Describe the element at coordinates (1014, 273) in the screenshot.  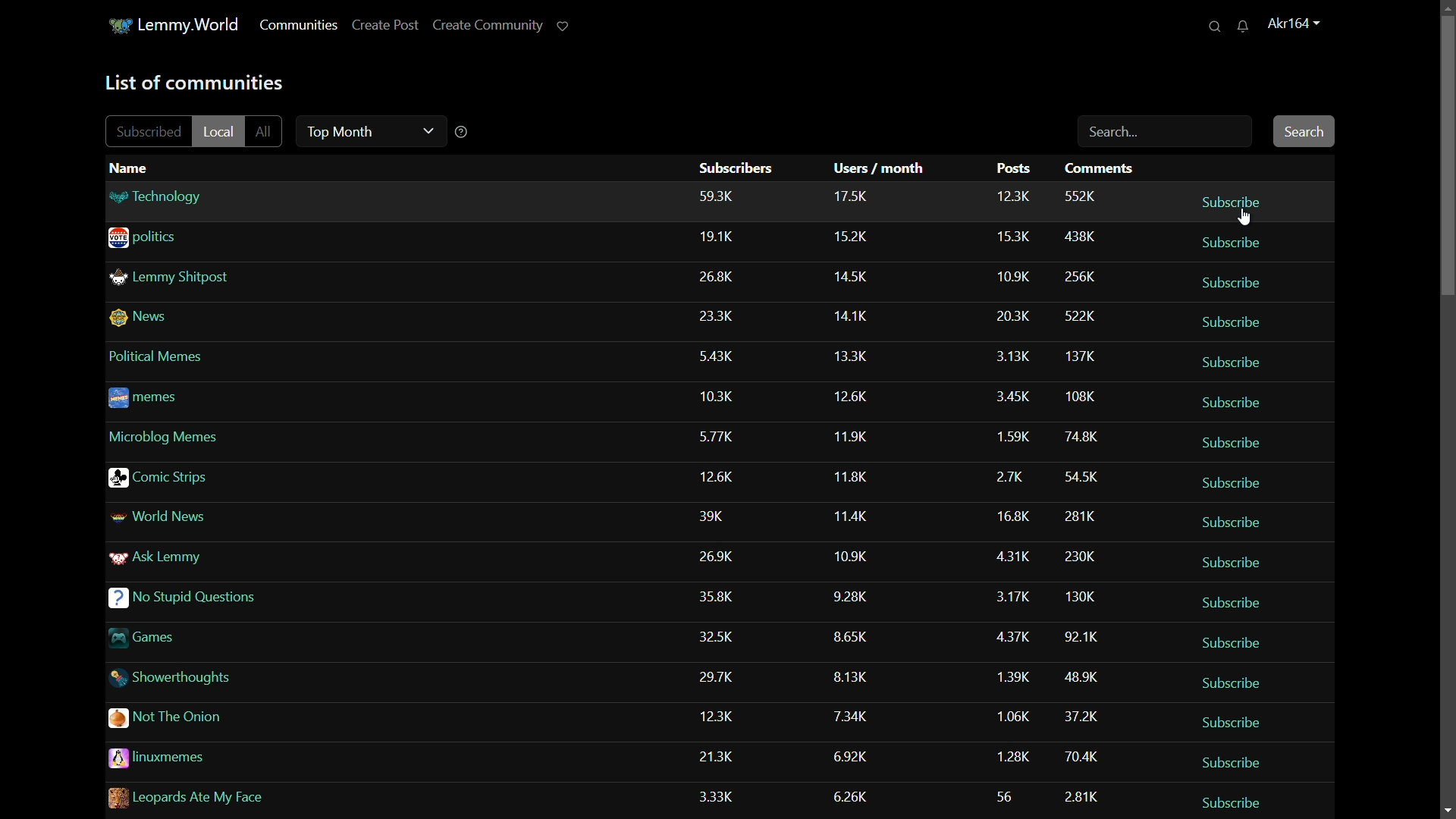
I see `posts` at that location.